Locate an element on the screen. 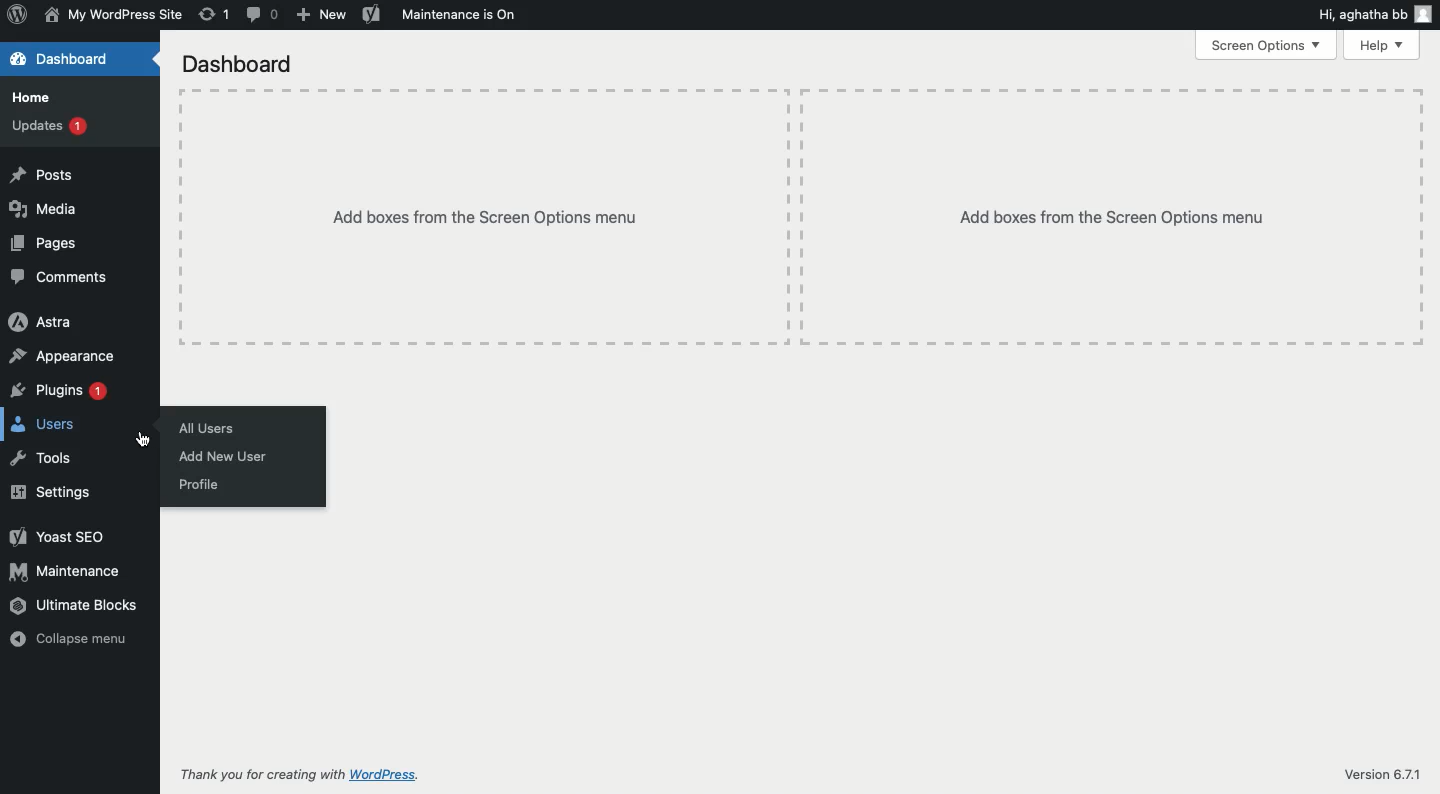 This screenshot has width=1440, height=794. Maintenance is on is located at coordinates (460, 13).